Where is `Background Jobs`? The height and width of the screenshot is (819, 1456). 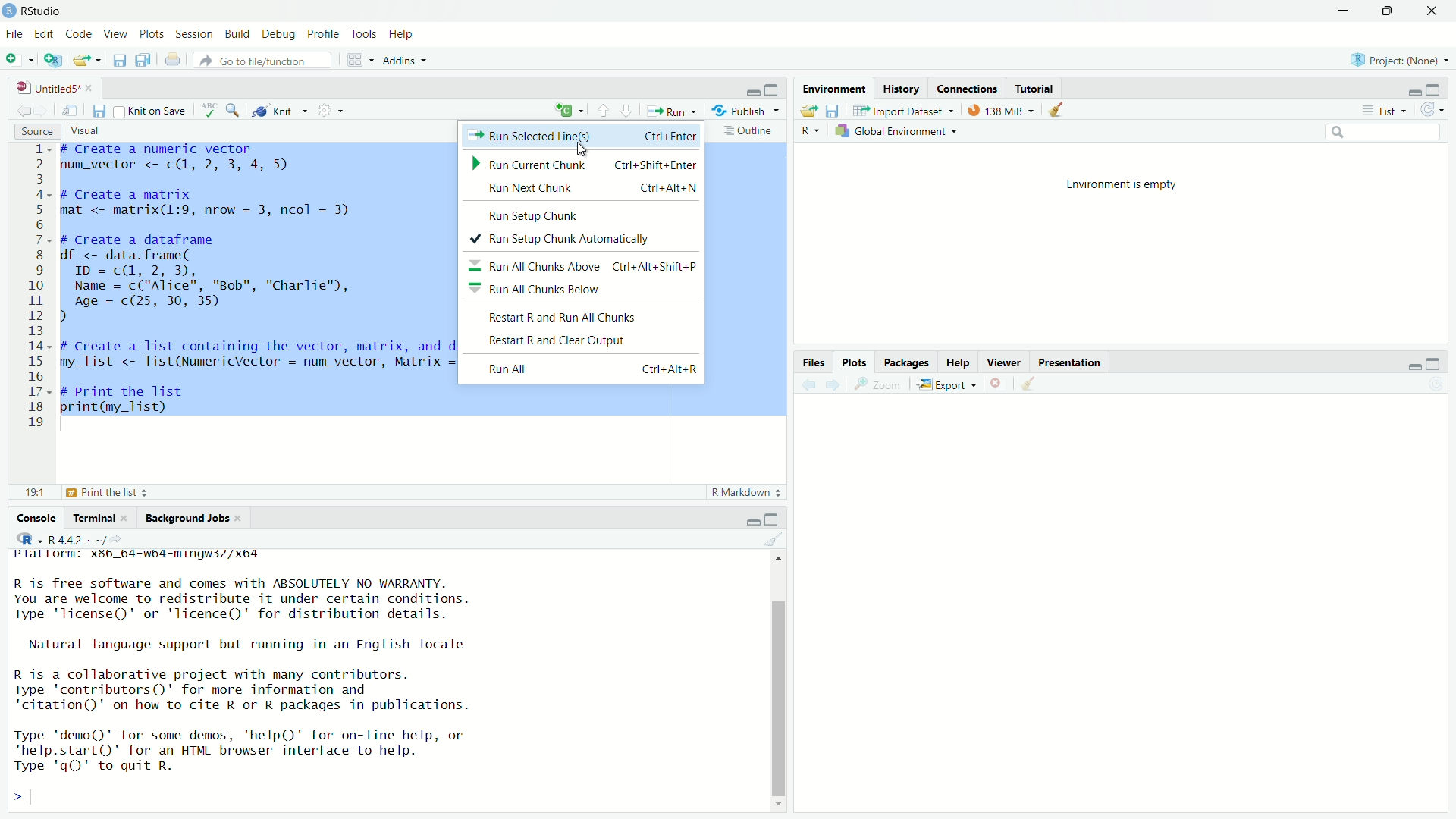
Background Jobs is located at coordinates (193, 519).